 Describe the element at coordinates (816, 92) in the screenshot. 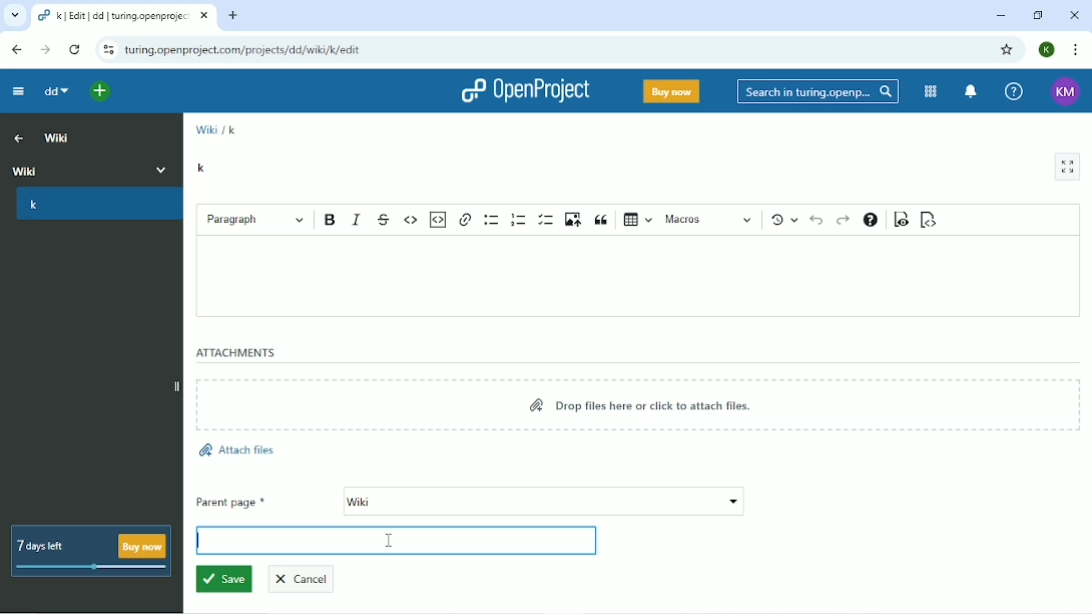

I see `Search in turing.openp` at that location.